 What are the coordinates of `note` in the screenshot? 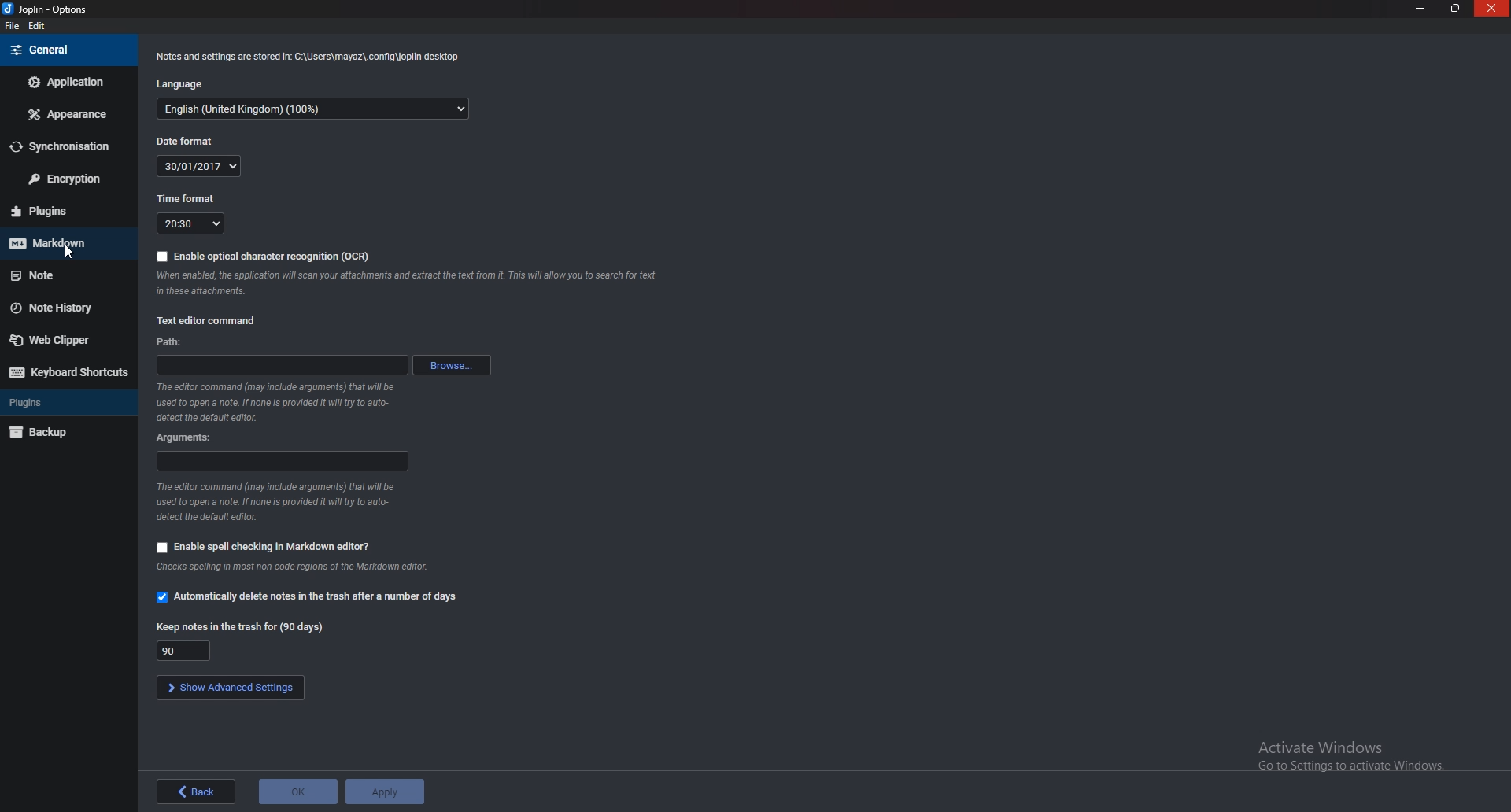 It's located at (64, 277).